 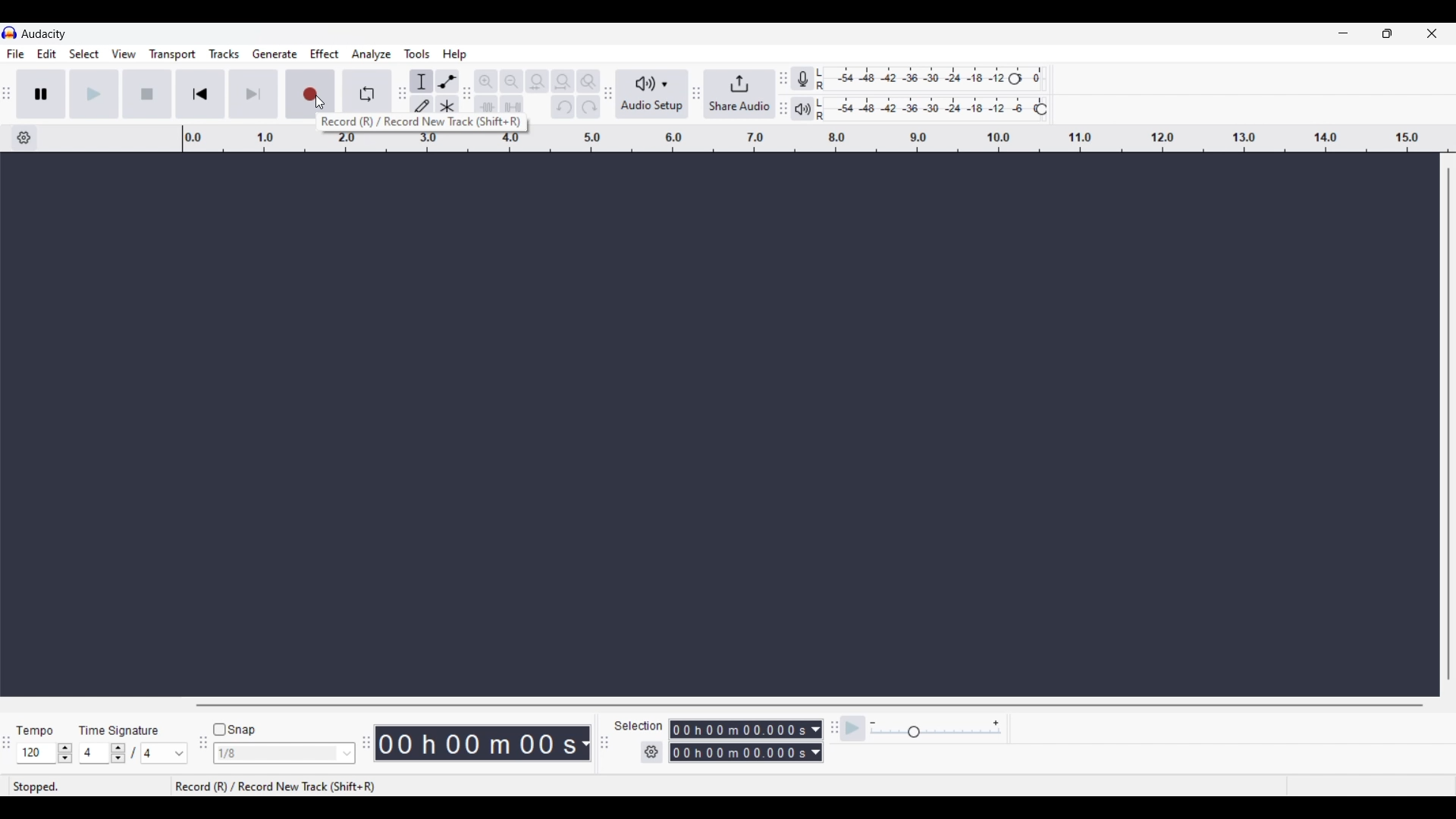 I want to click on Effect menu, so click(x=325, y=54).